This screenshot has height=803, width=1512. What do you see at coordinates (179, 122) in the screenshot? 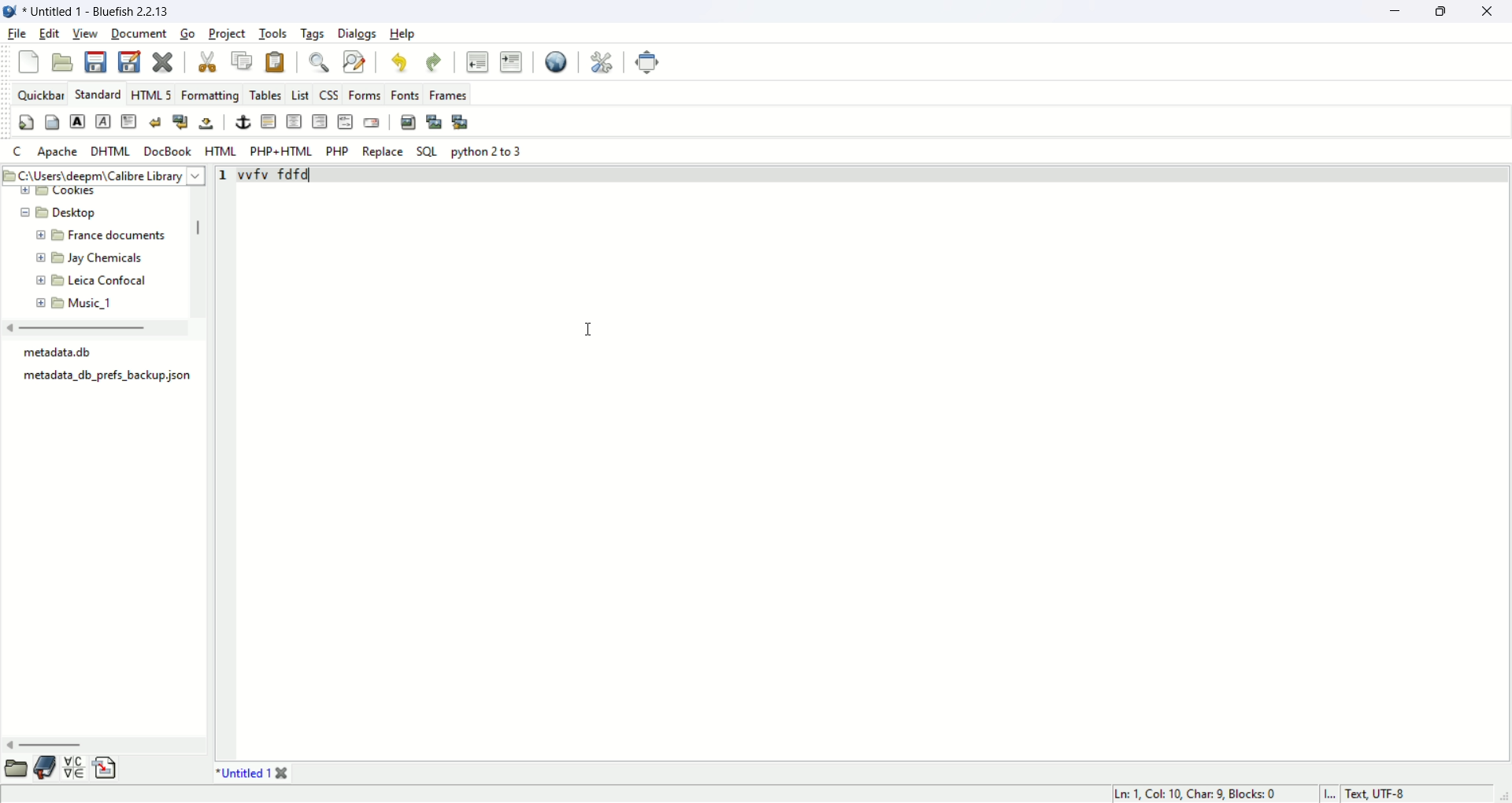
I see `break and clear` at bounding box center [179, 122].